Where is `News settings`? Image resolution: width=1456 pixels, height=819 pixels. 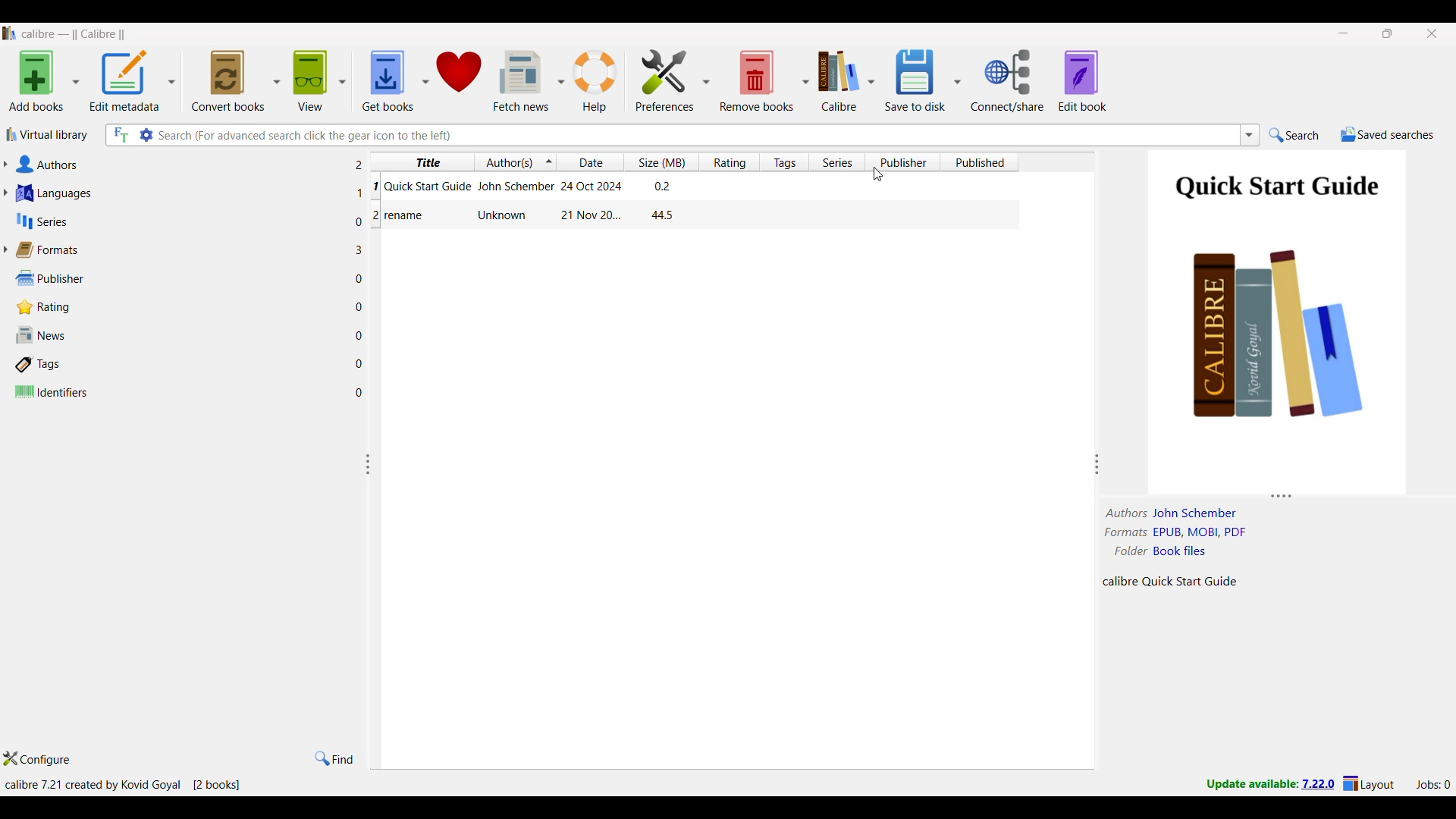
News settings is located at coordinates (529, 81).